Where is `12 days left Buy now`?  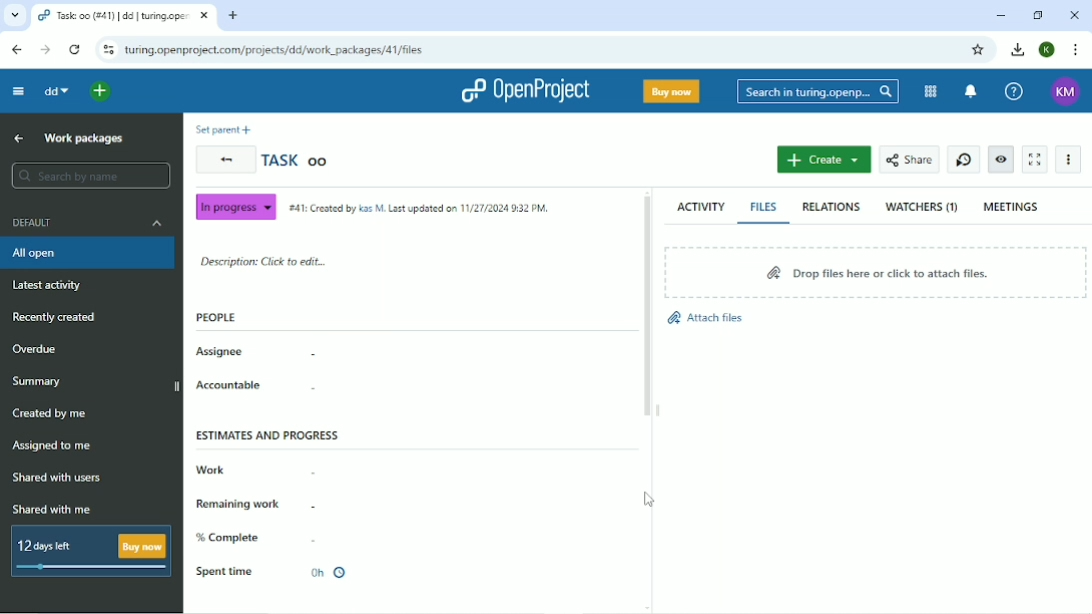
12 days left Buy now is located at coordinates (87, 550).